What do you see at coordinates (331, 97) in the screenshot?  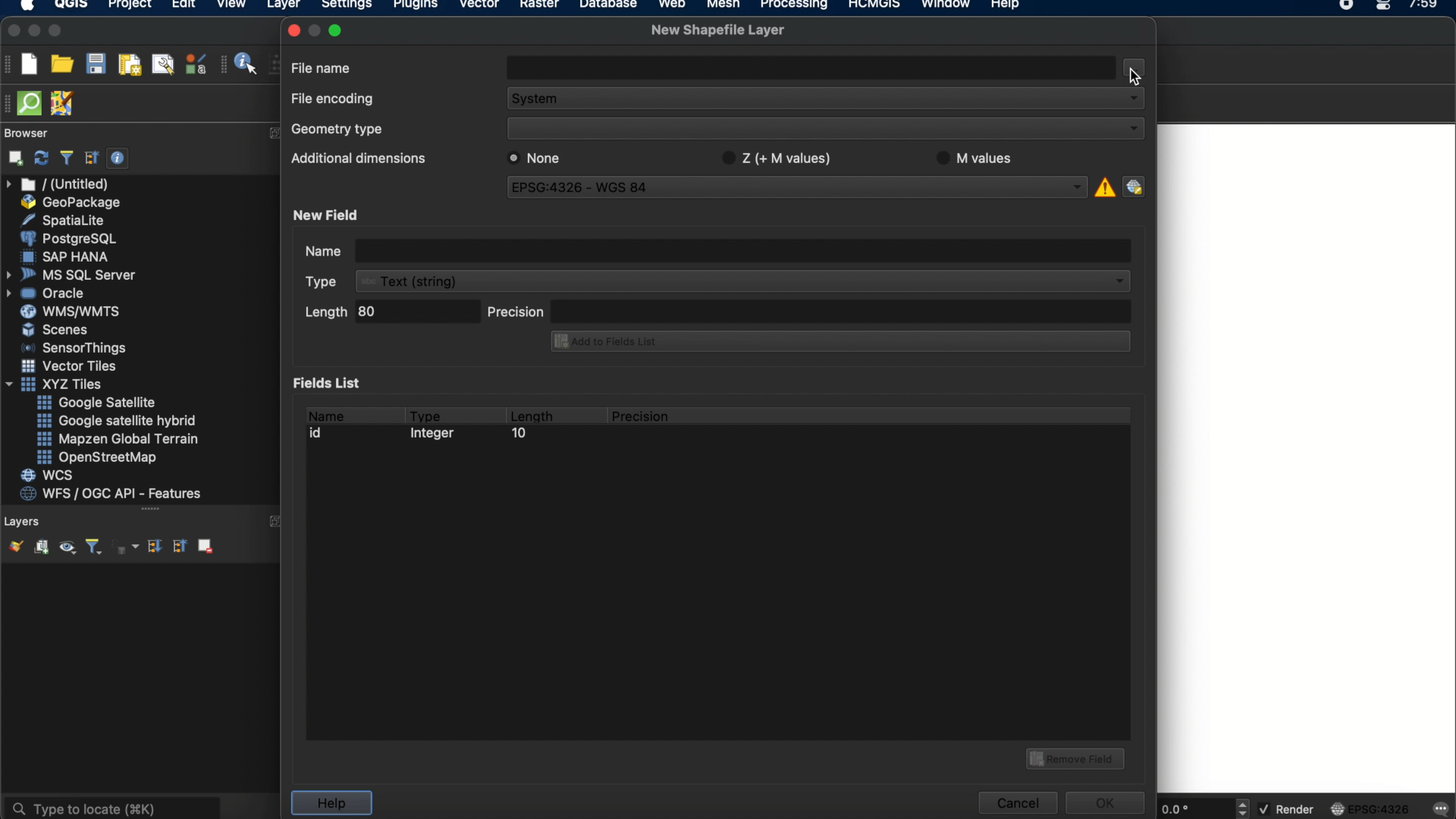 I see `file encoding` at bounding box center [331, 97].